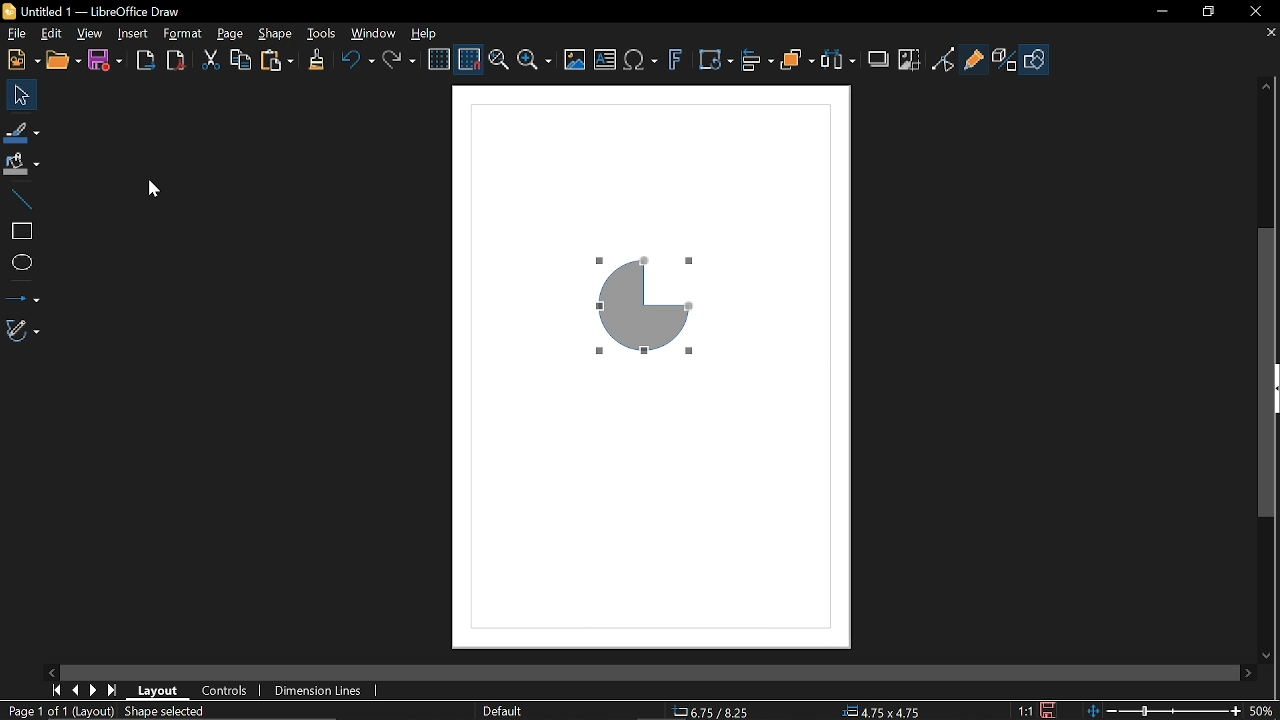 The image size is (1280, 720). Describe the element at coordinates (470, 61) in the screenshot. I see `Snap to grid` at that location.